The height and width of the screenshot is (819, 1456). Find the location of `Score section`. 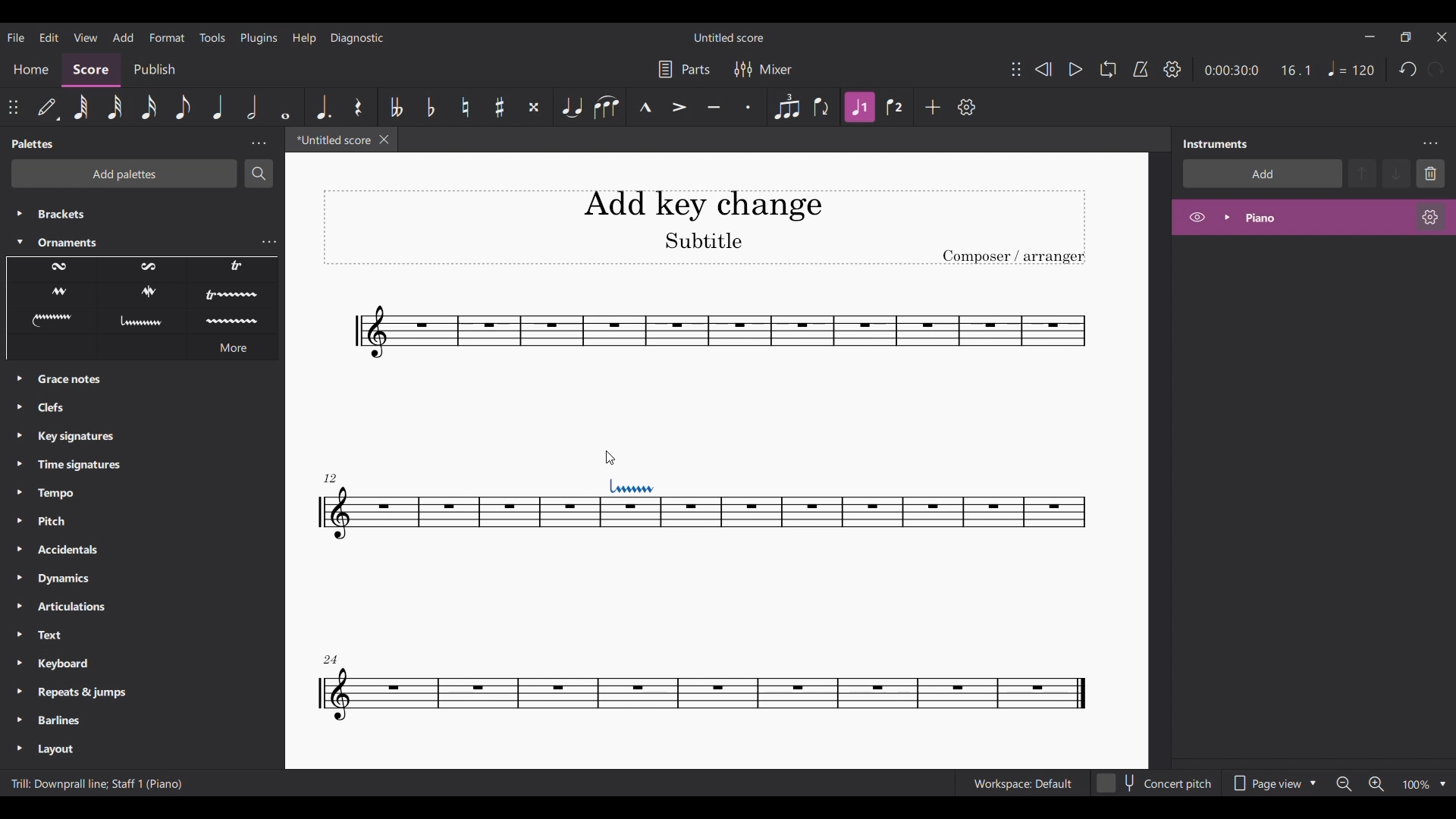

Score section is located at coordinates (90, 71).